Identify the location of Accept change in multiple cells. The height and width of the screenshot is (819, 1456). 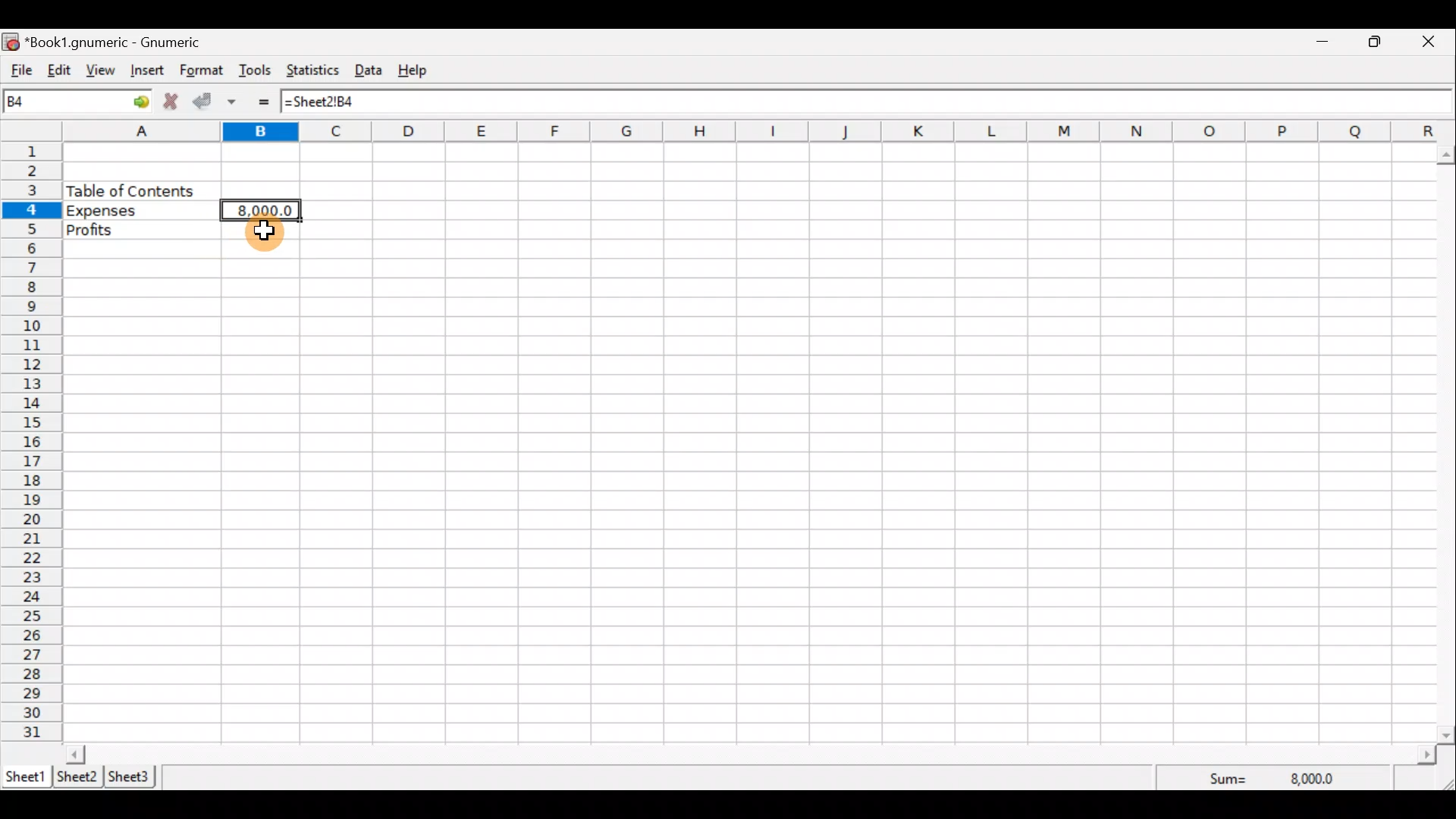
(237, 102).